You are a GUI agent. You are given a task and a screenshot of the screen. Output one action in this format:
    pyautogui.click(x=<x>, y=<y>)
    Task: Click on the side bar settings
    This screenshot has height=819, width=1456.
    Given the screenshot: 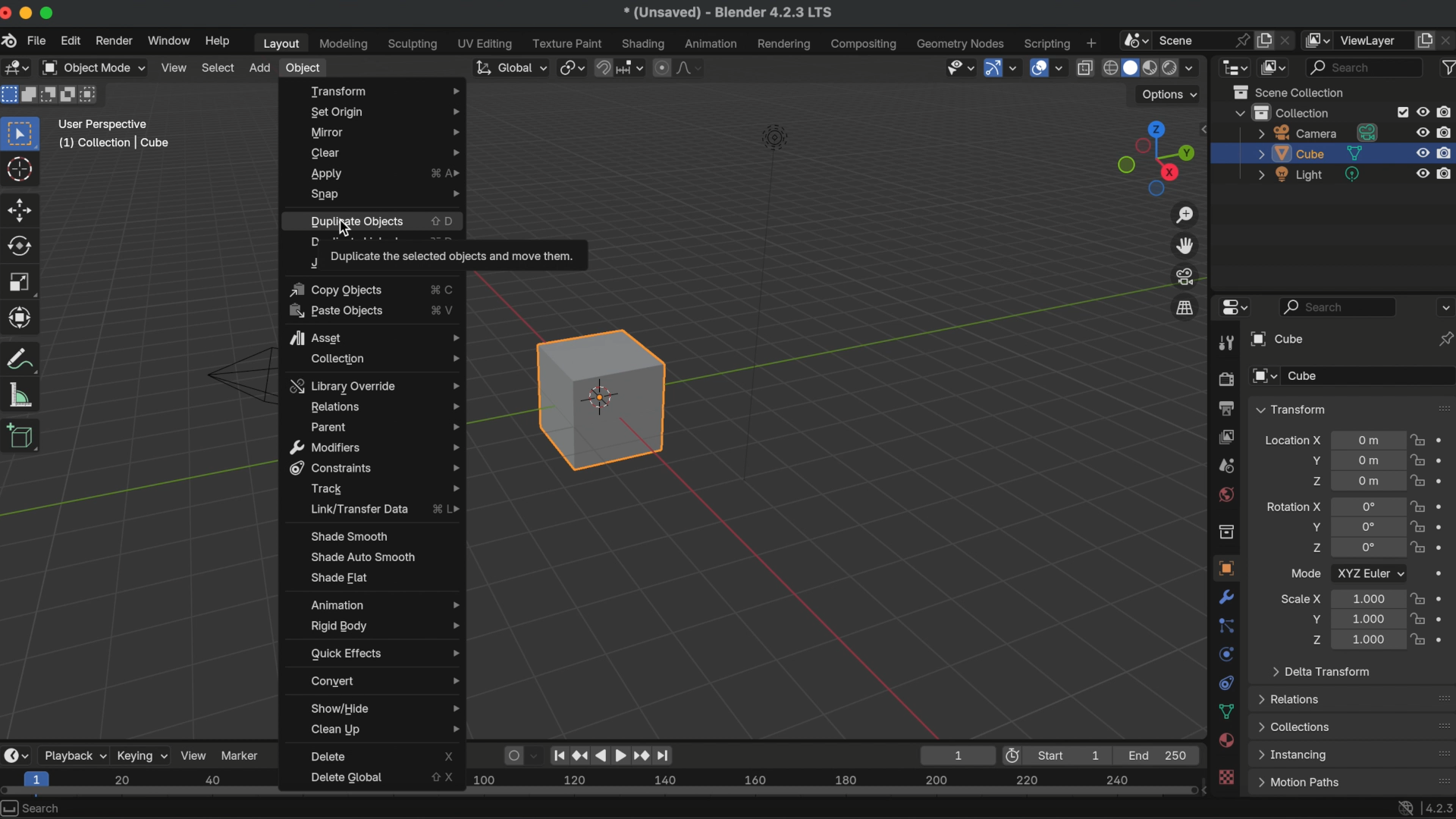 What is the action you would take?
    pyautogui.click(x=1207, y=127)
    